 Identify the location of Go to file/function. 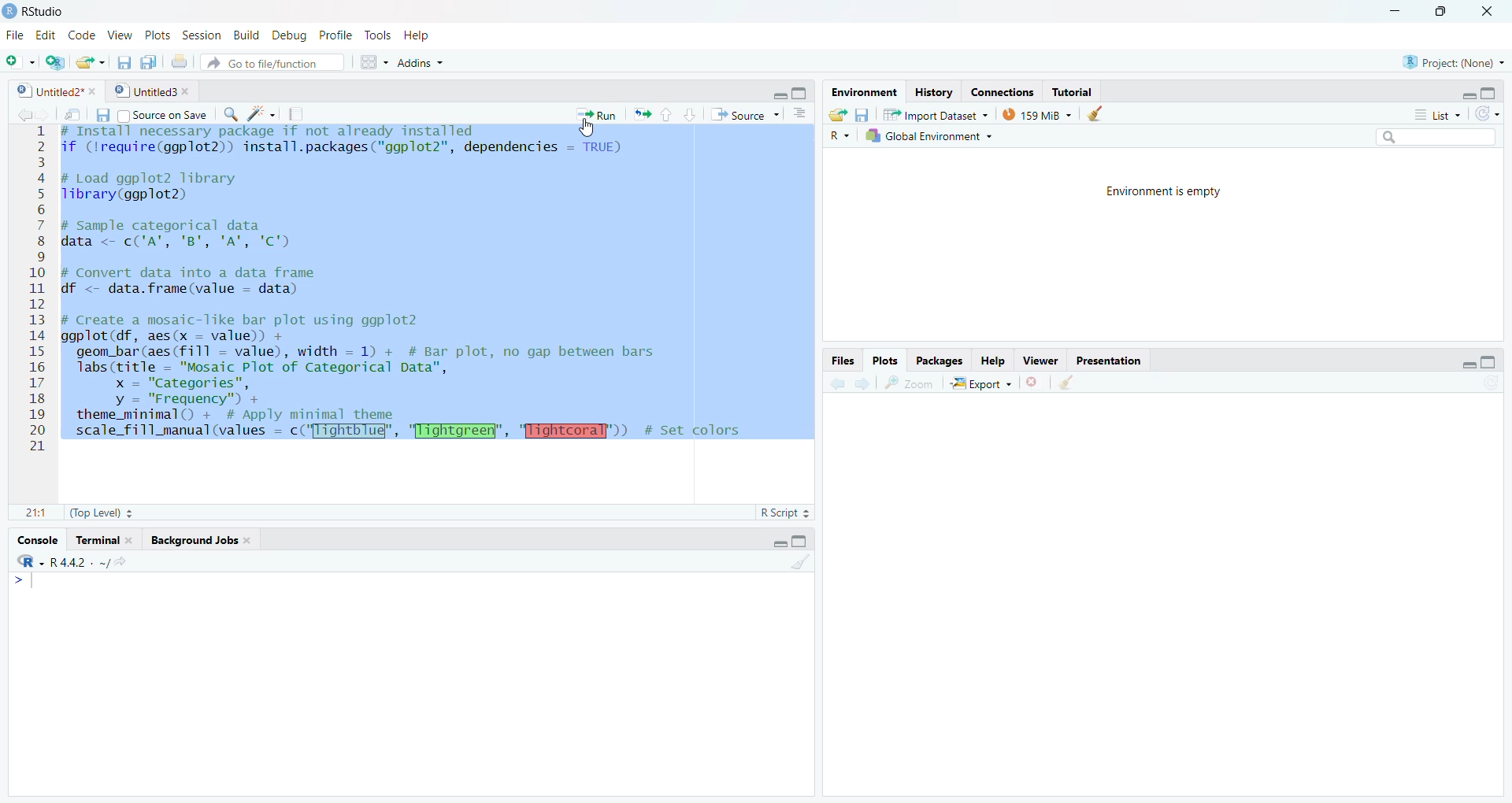
(271, 65).